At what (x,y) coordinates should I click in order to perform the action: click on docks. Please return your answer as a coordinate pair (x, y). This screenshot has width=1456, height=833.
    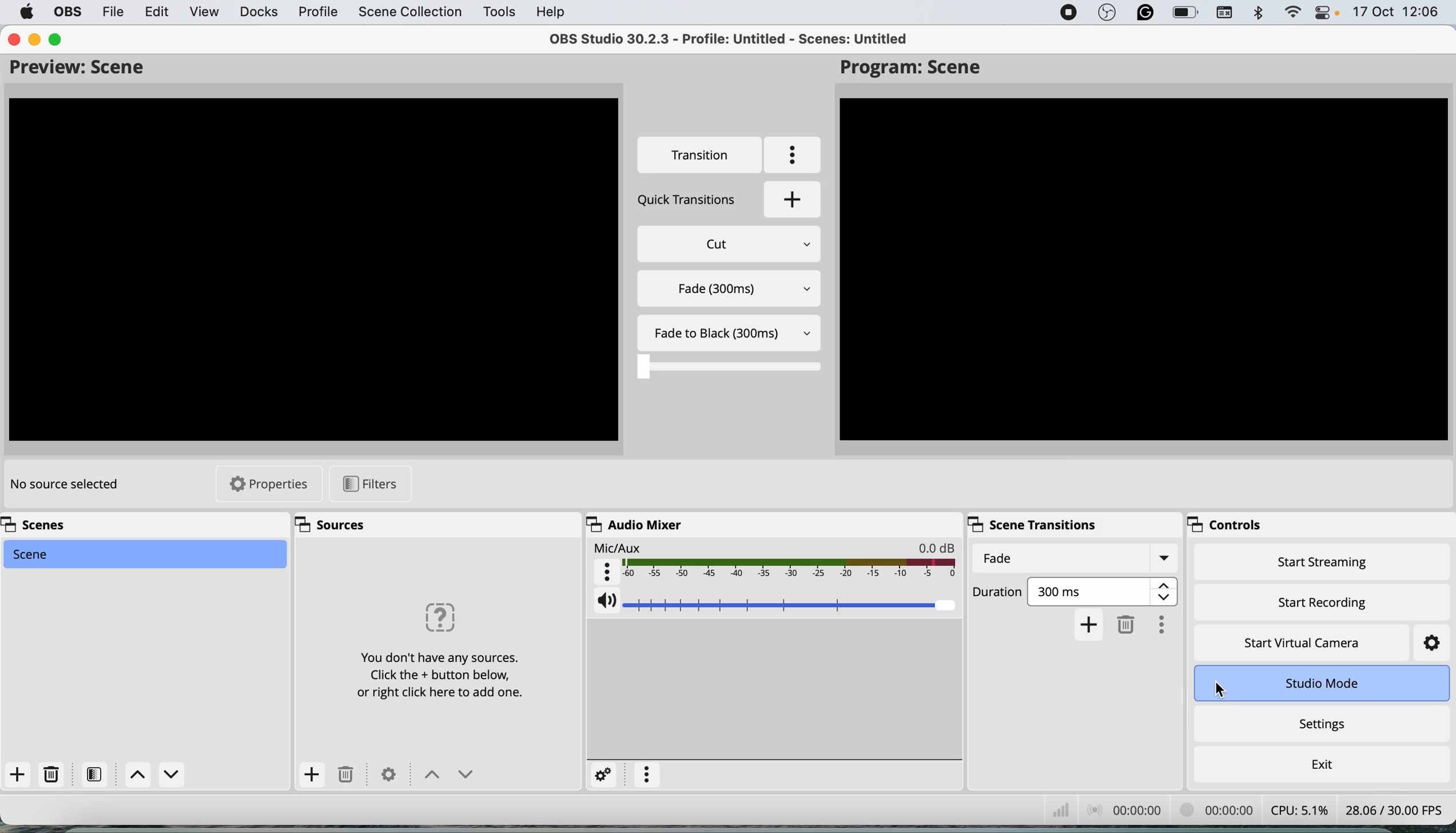
    Looking at the image, I should click on (258, 13).